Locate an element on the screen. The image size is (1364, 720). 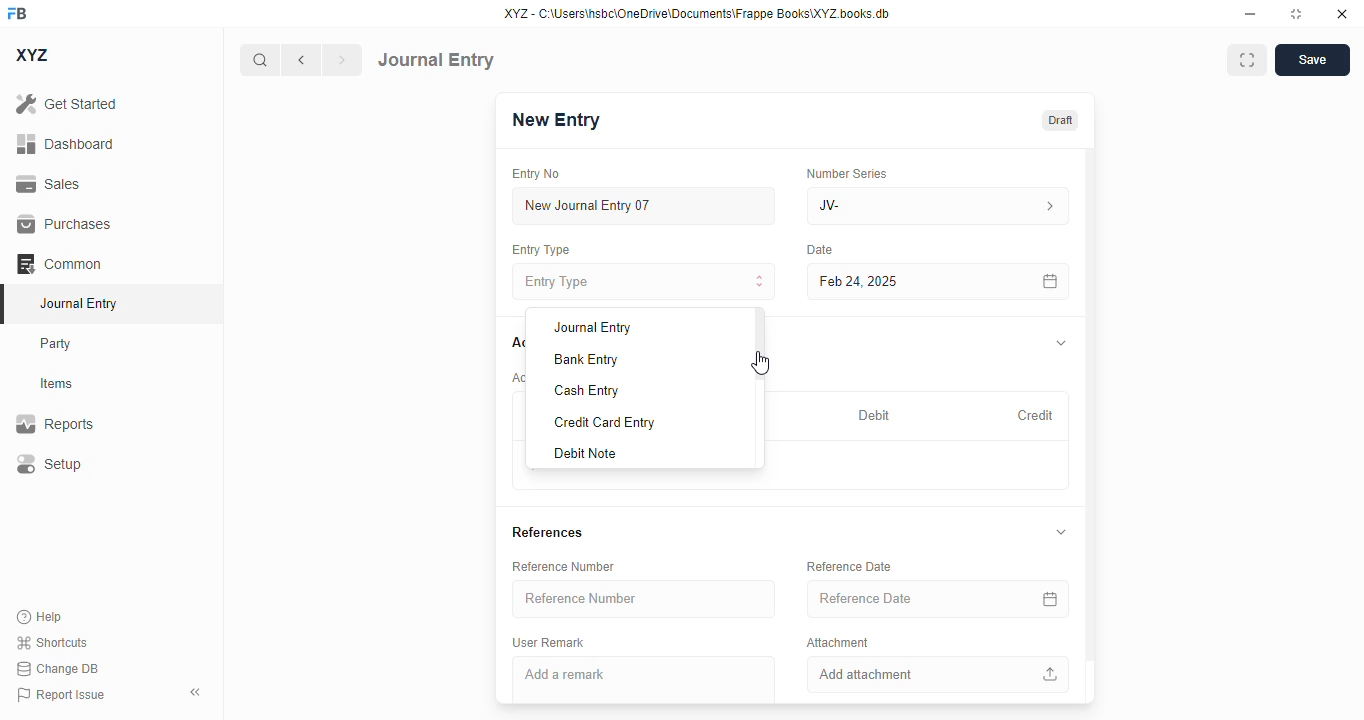
previous is located at coordinates (301, 60).